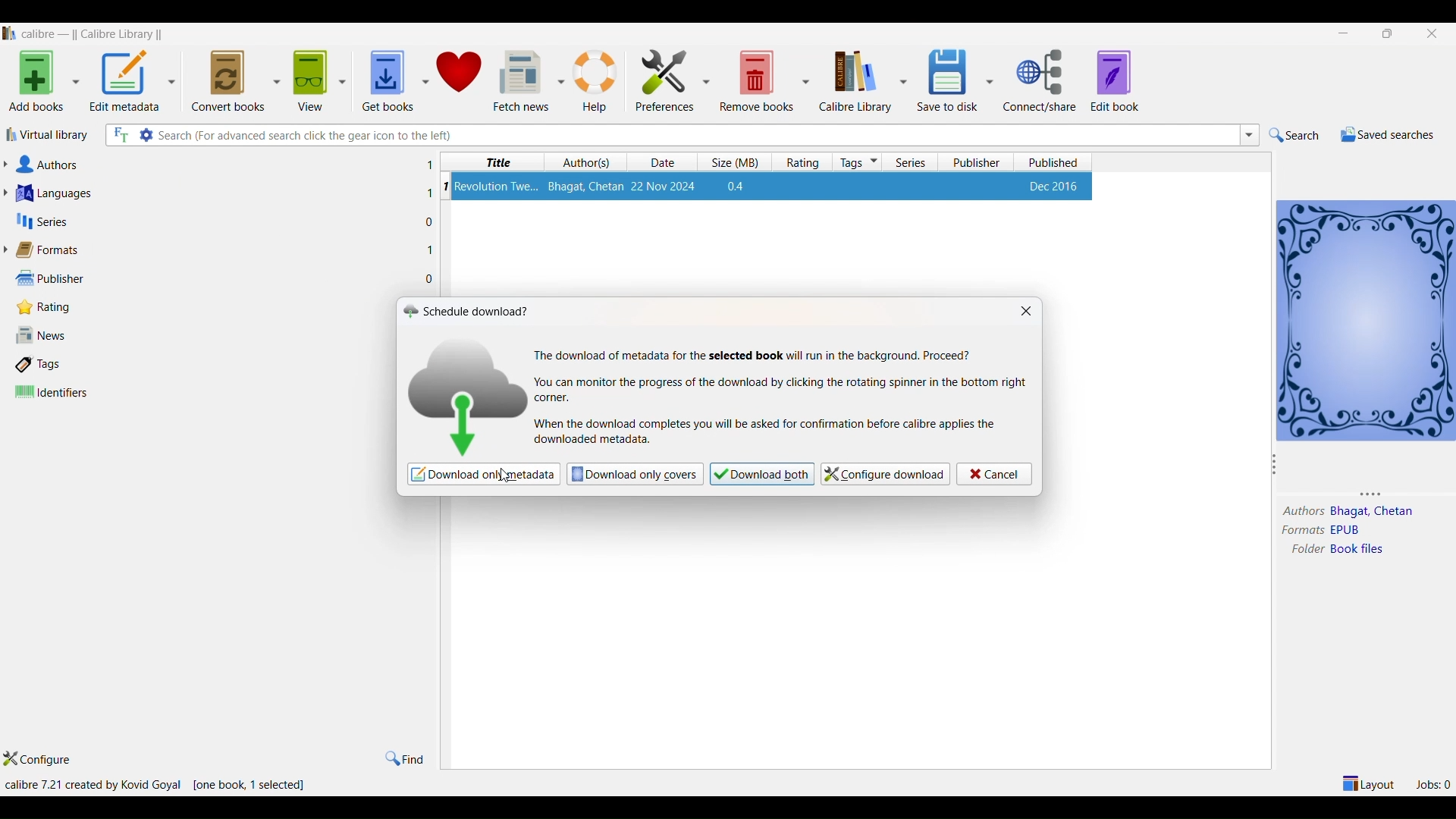  What do you see at coordinates (598, 75) in the screenshot?
I see `help` at bounding box center [598, 75].